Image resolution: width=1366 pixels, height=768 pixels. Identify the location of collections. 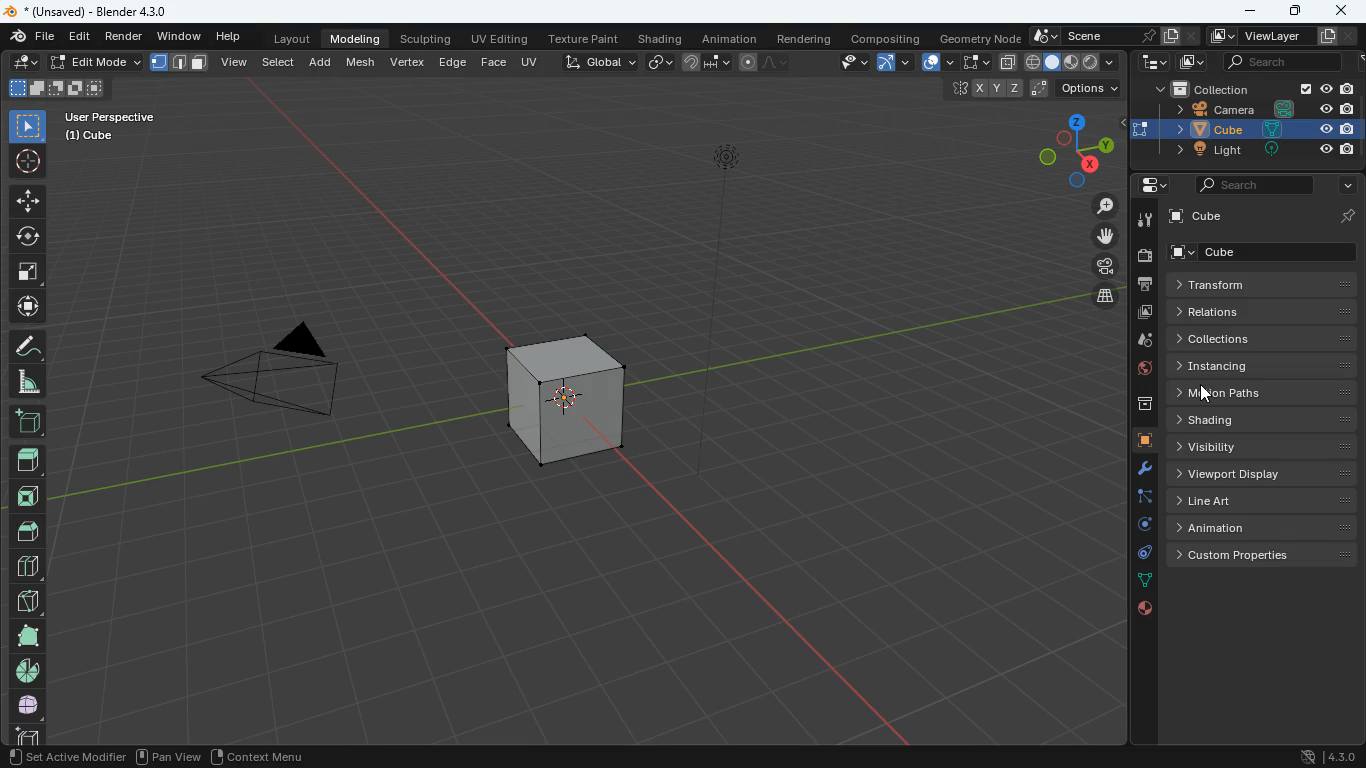
(1266, 338).